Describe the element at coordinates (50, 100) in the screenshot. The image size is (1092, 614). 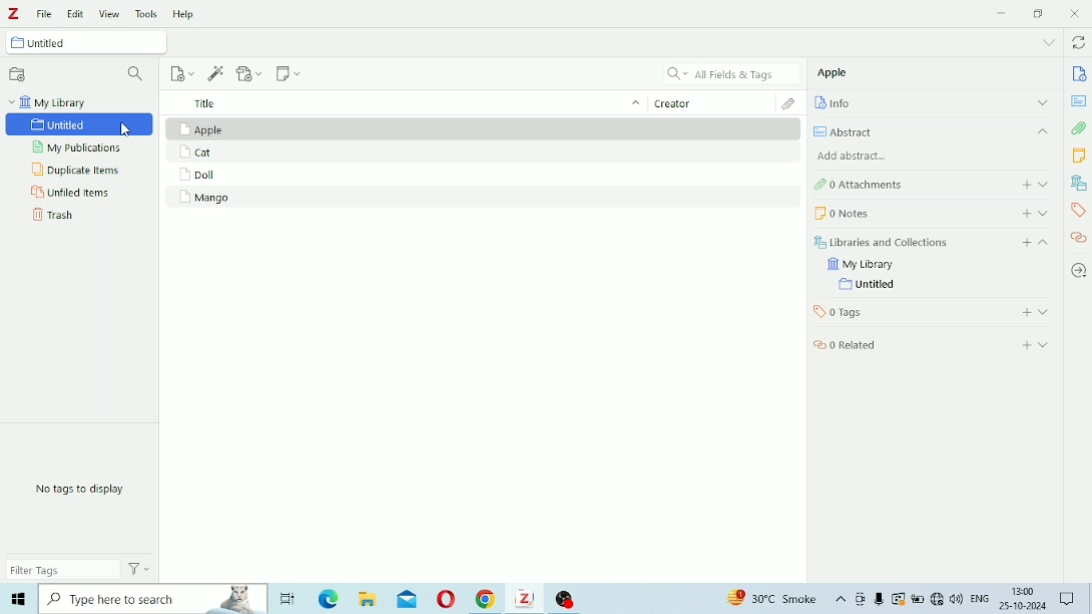
I see `My Library` at that location.